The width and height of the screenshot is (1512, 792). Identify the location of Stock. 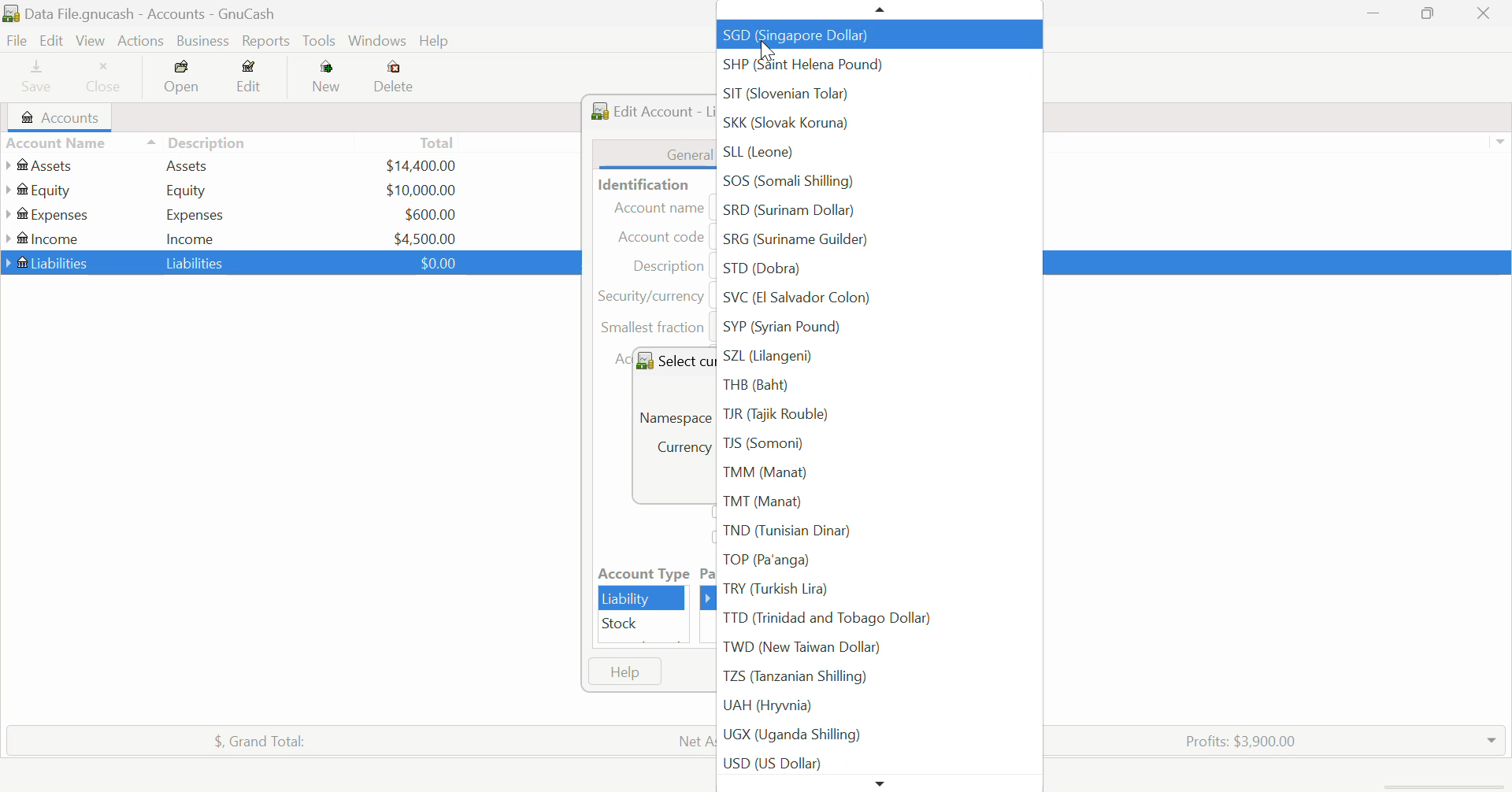
(643, 624).